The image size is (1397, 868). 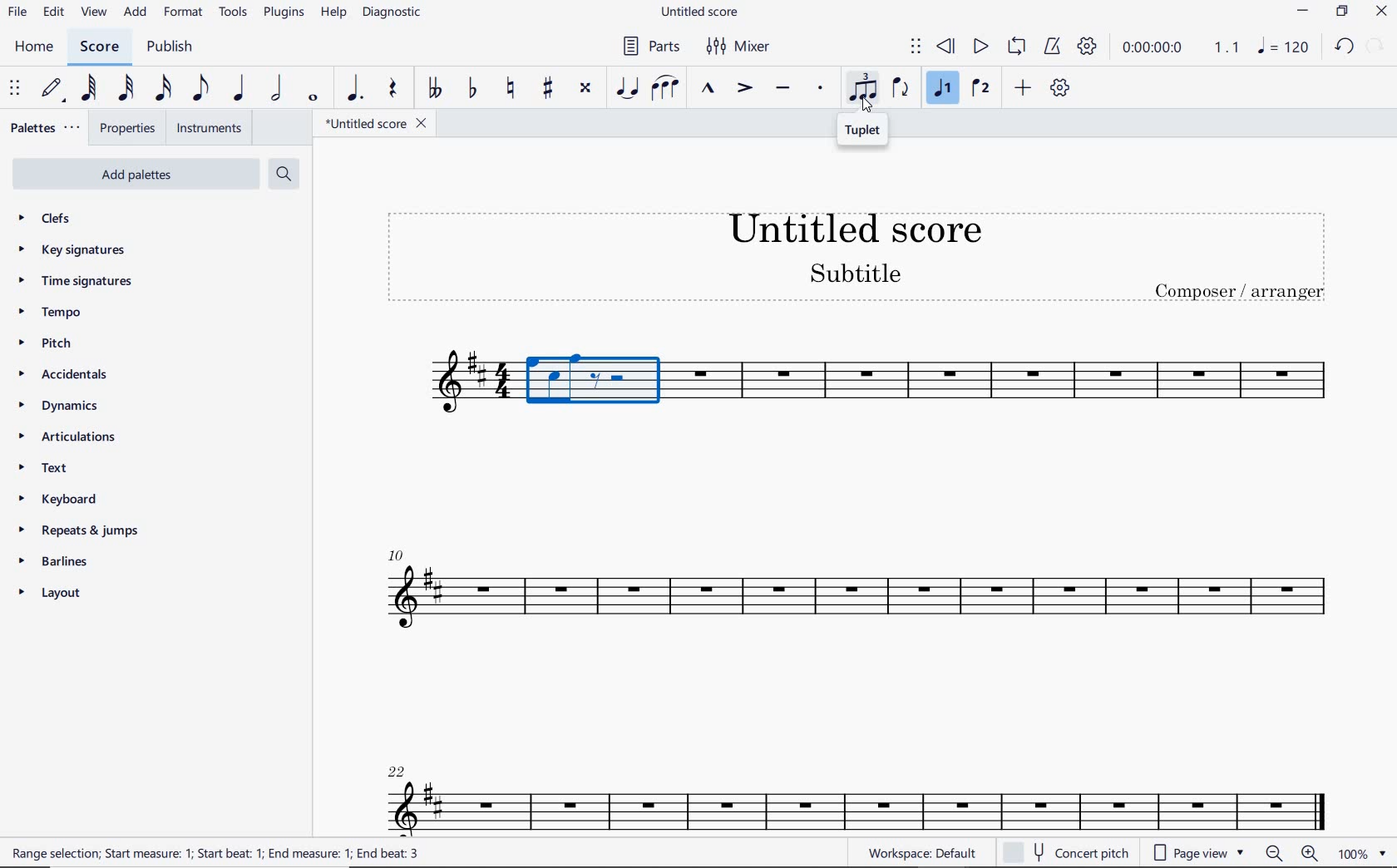 What do you see at coordinates (284, 13) in the screenshot?
I see `PLUGINS` at bounding box center [284, 13].